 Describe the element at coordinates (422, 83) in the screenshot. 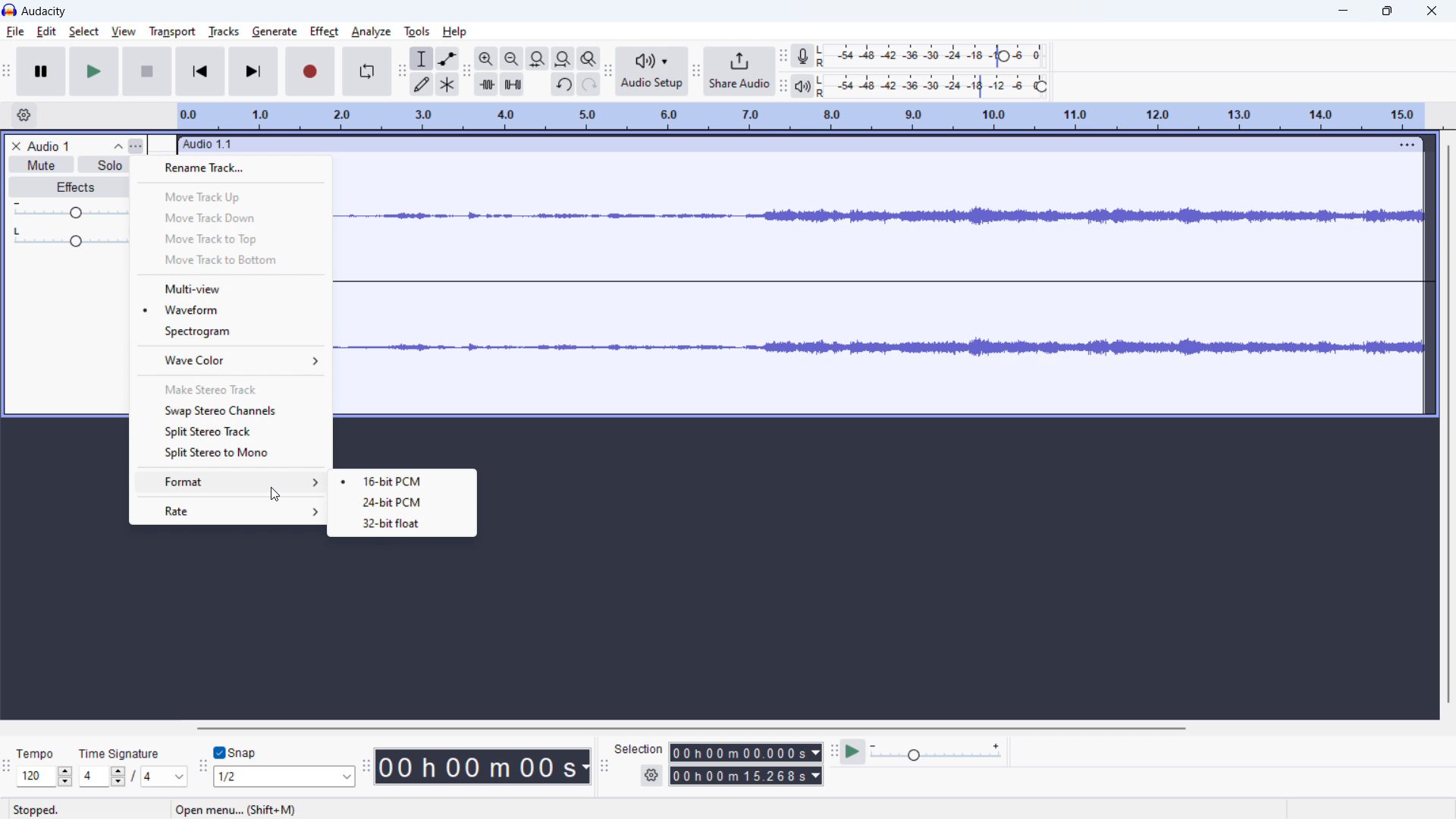

I see `draw tool` at that location.